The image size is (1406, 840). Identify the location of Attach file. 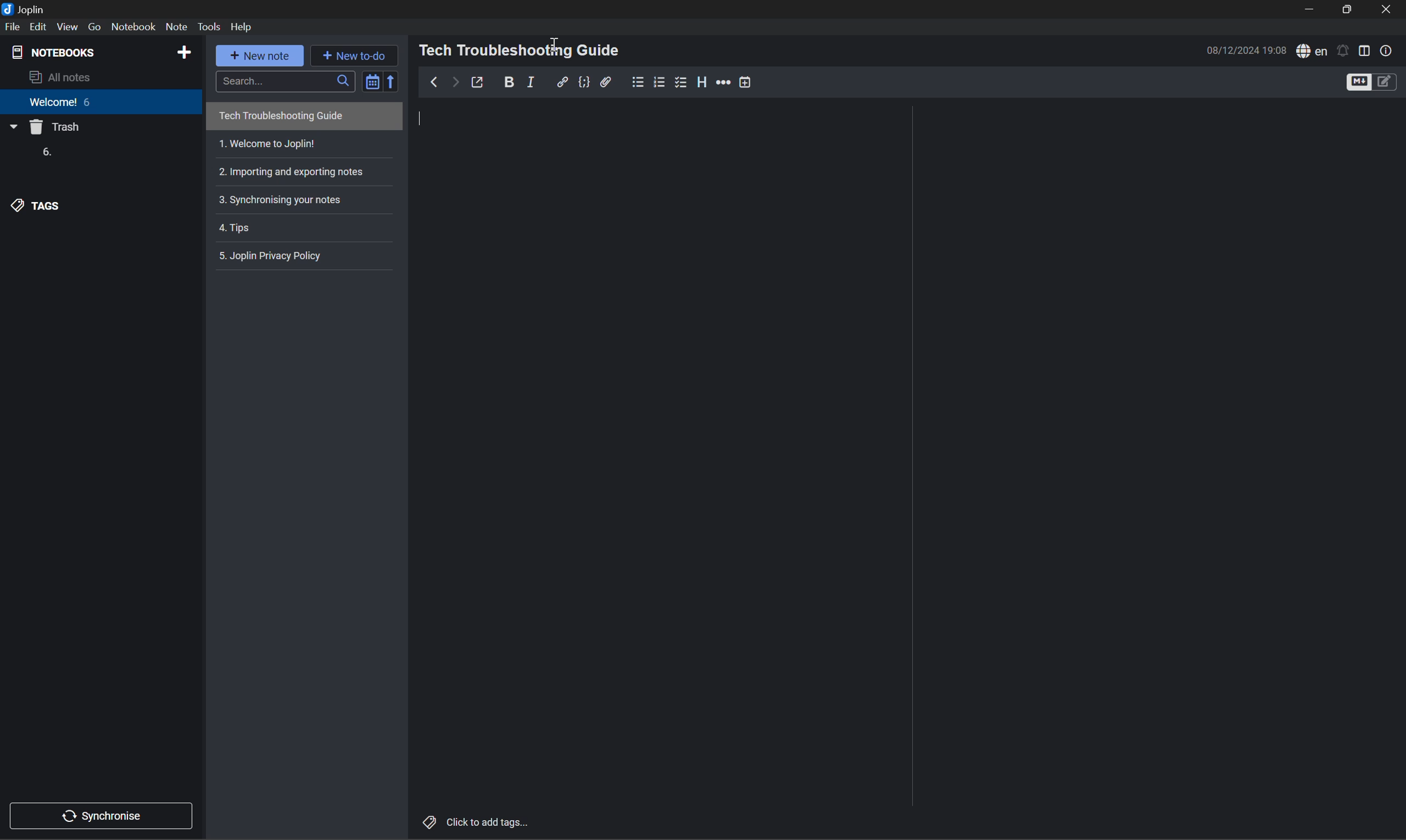
(608, 82).